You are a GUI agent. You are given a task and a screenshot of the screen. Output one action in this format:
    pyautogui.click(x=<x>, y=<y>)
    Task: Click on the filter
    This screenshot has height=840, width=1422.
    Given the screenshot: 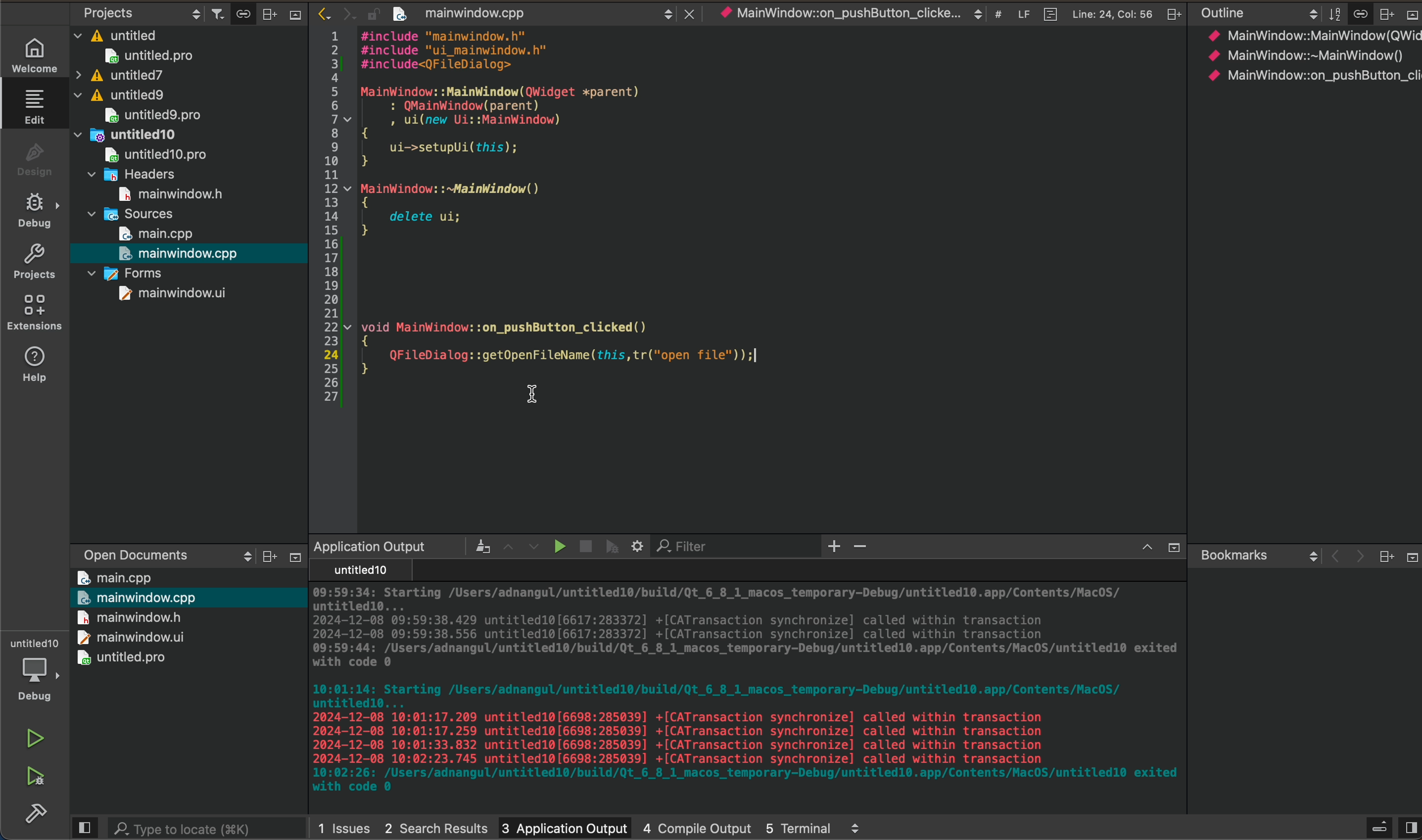 What is the action you would take?
    pyautogui.click(x=1332, y=13)
    